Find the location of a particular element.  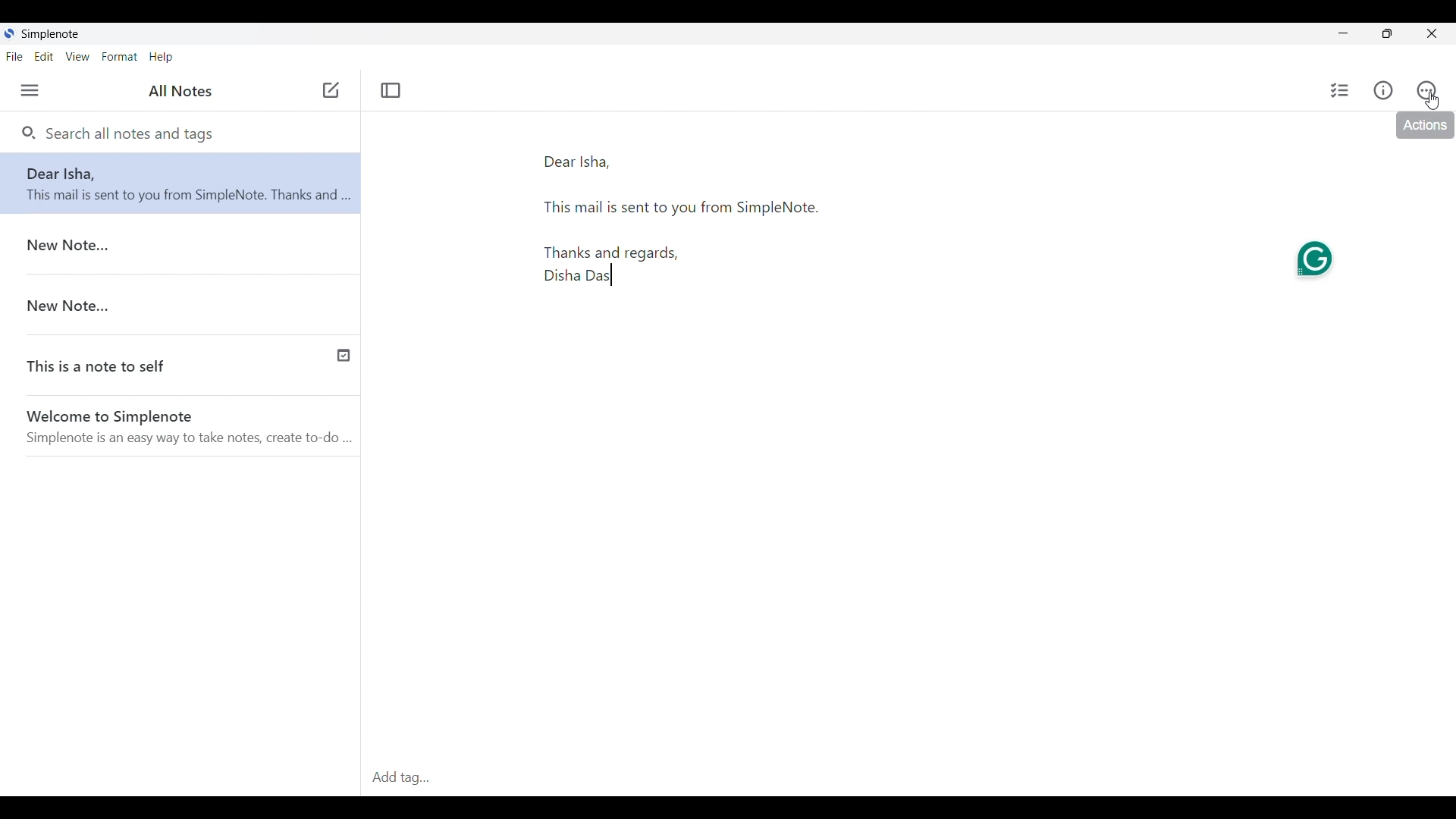

Note-Dear Disha is located at coordinates (180, 181).